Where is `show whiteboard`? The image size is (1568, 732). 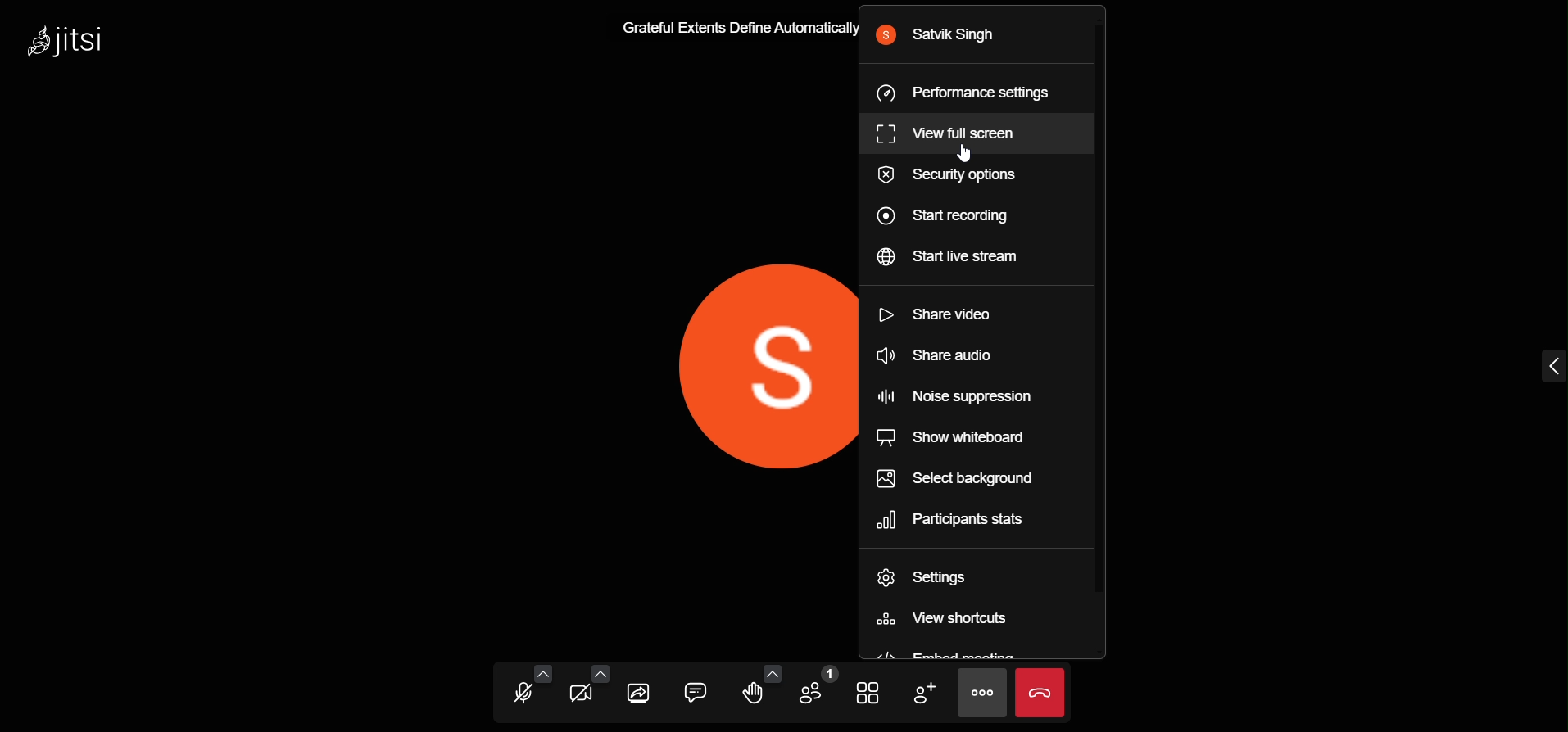 show whiteboard is located at coordinates (950, 433).